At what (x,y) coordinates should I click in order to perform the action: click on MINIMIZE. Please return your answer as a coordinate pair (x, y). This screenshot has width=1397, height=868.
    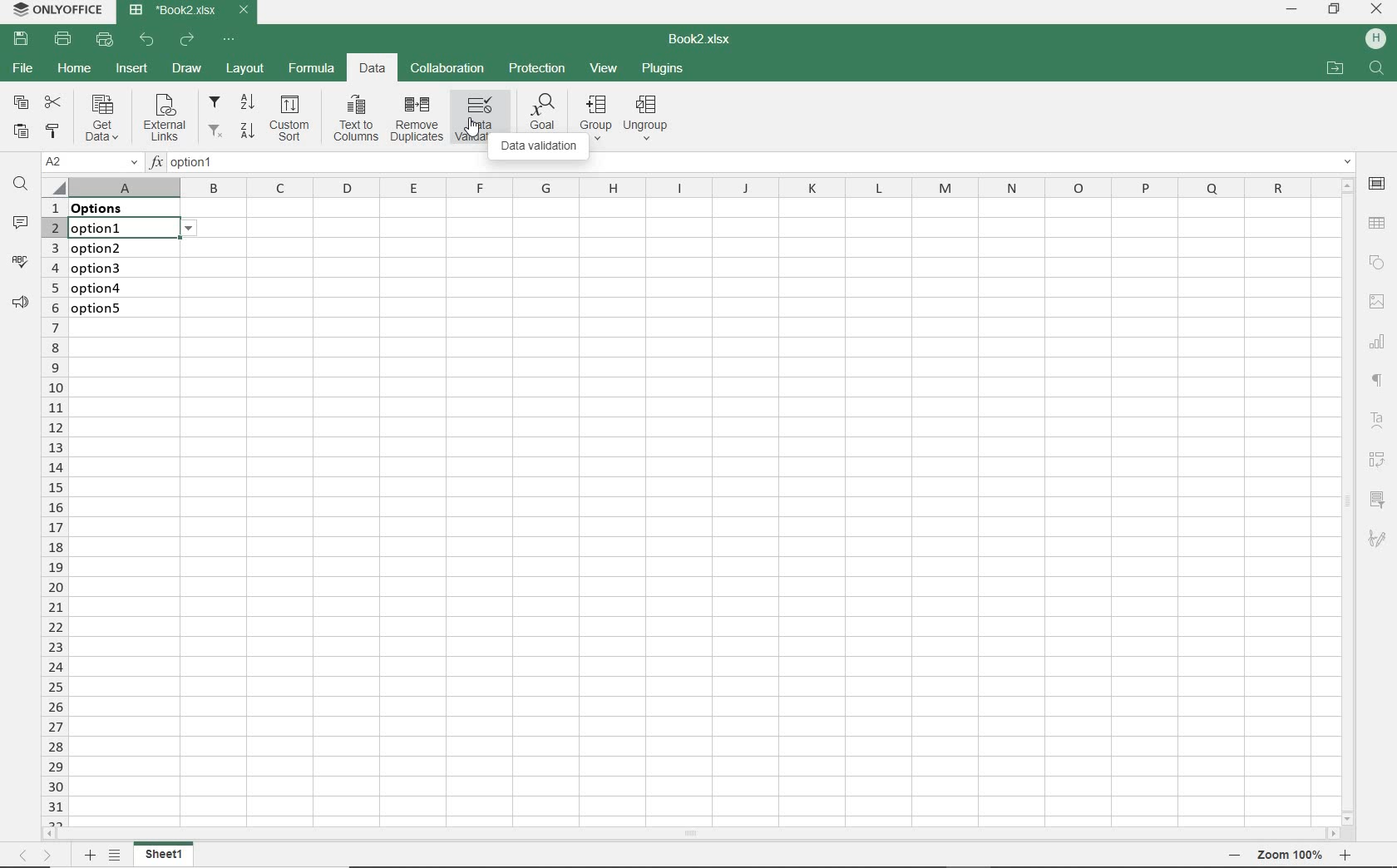
    Looking at the image, I should click on (1291, 9).